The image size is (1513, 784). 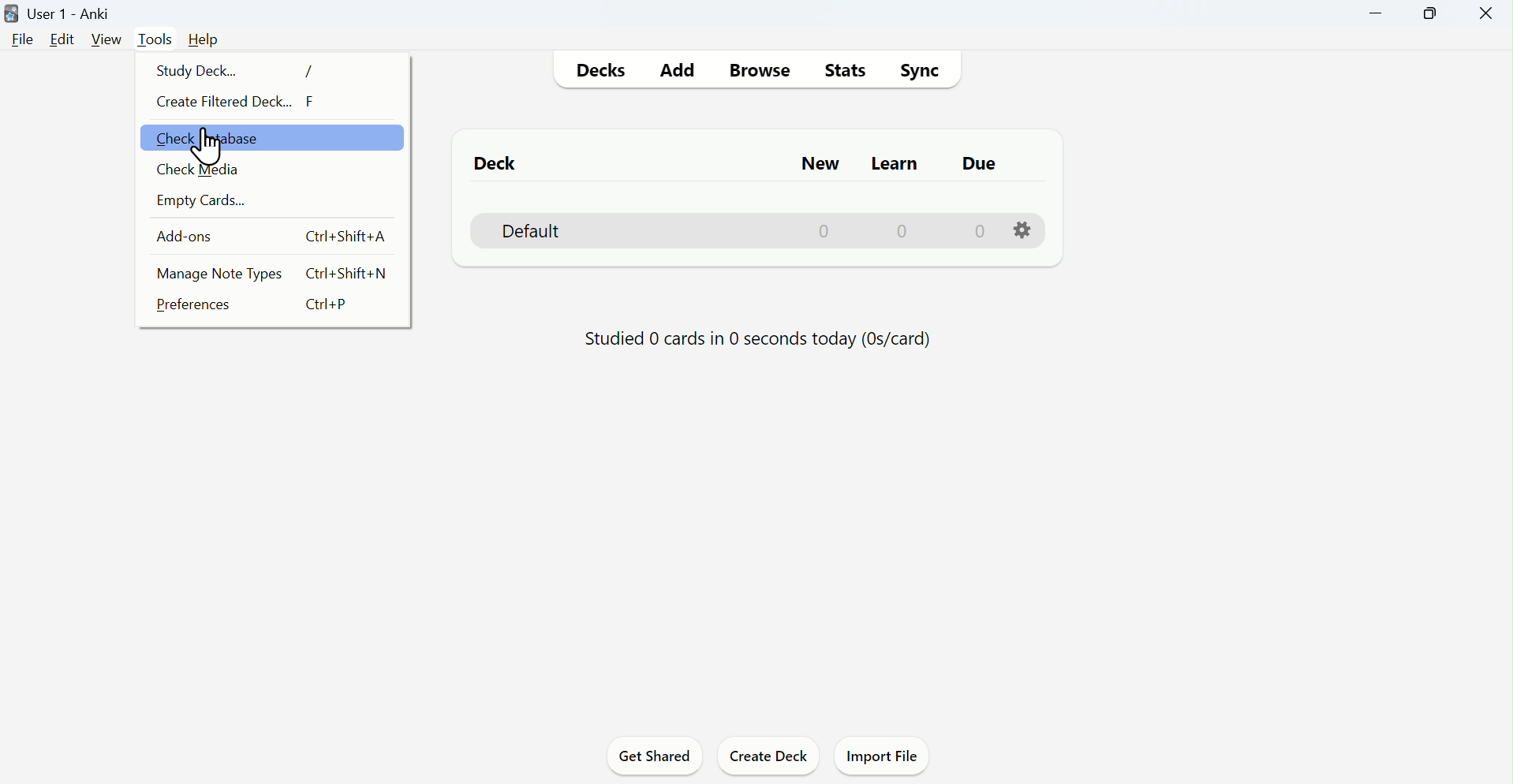 What do you see at coordinates (269, 69) in the screenshot?
I see `Study deck` at bounding box center [269, 69].